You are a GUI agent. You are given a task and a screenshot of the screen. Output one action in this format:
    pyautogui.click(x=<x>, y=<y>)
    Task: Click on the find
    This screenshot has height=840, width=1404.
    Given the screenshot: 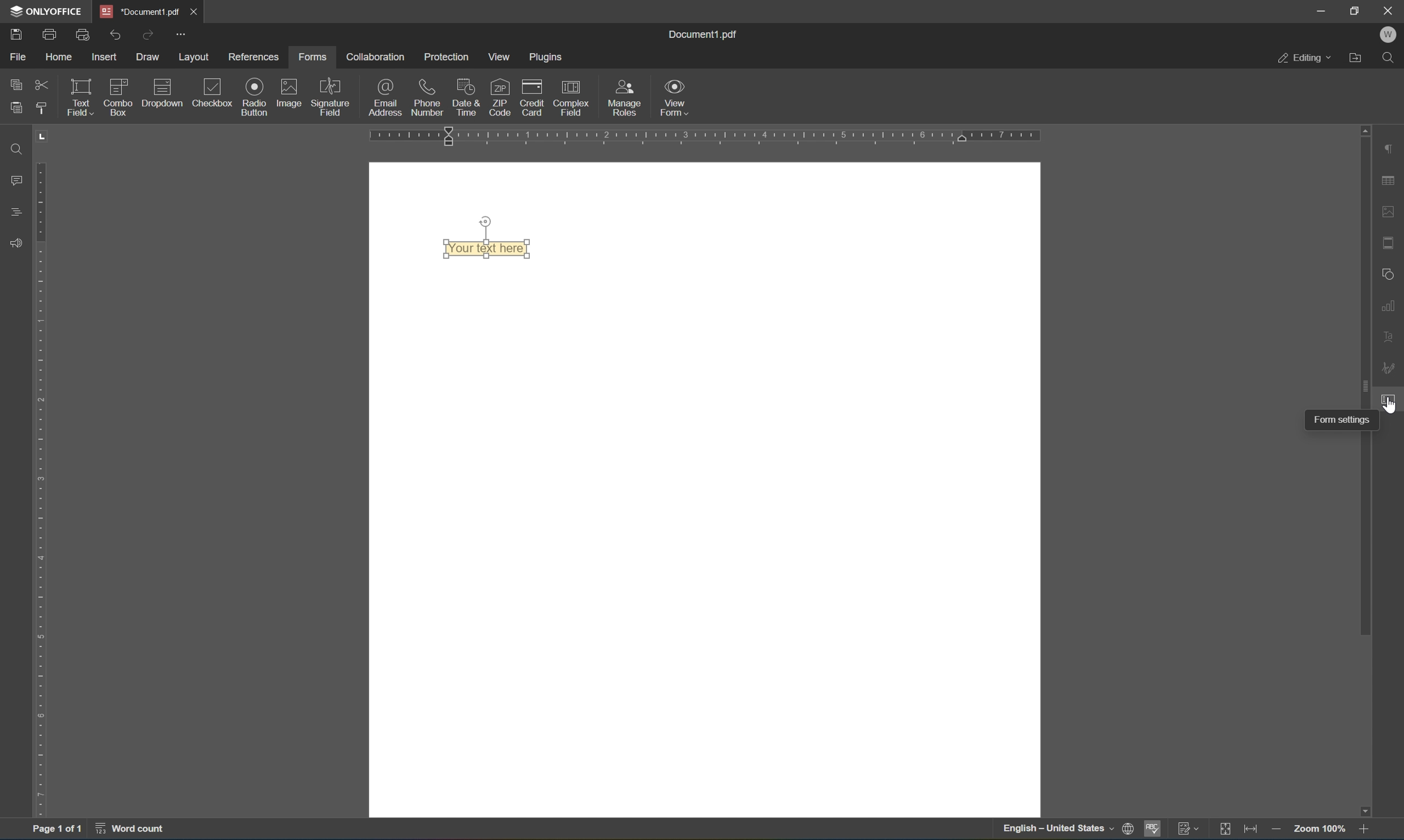 What is the action you would take?
    pyautogui.click(x=20, y=149)
    